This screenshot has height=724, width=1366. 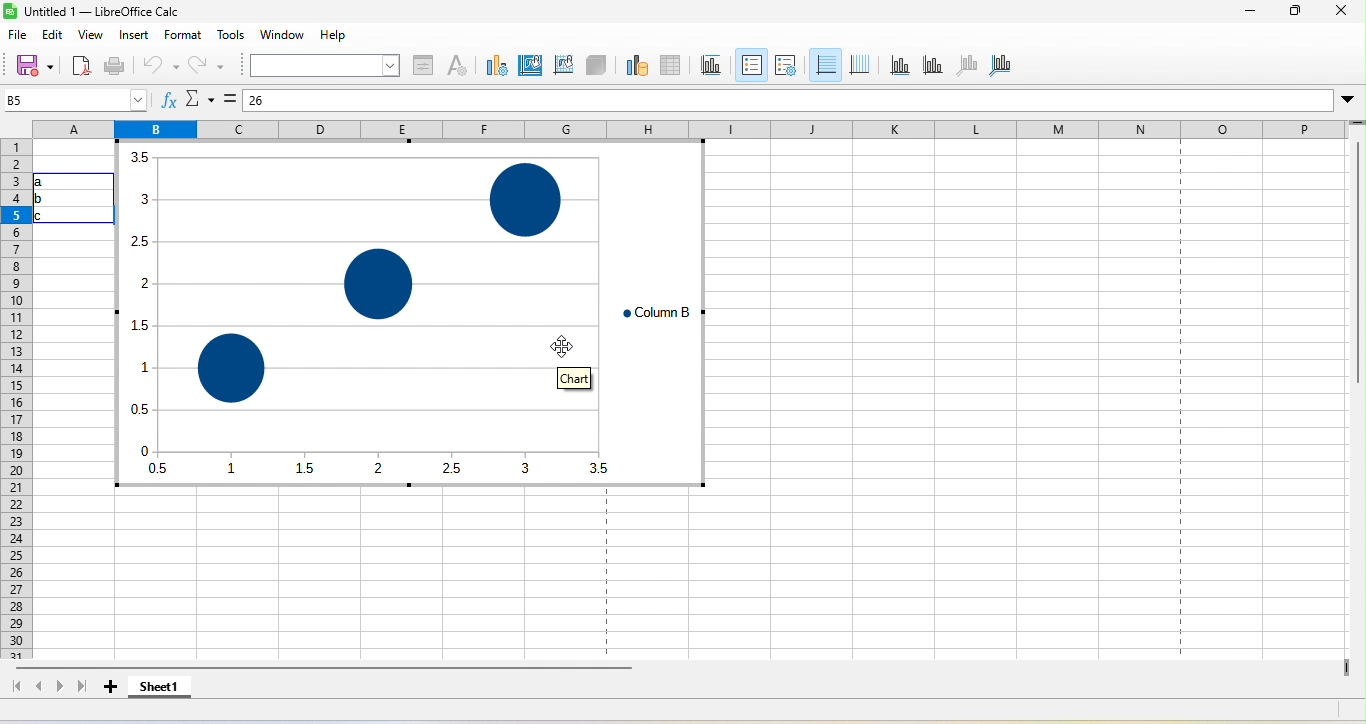 I want to click on export directly as pf, so click(x=81, y=67).